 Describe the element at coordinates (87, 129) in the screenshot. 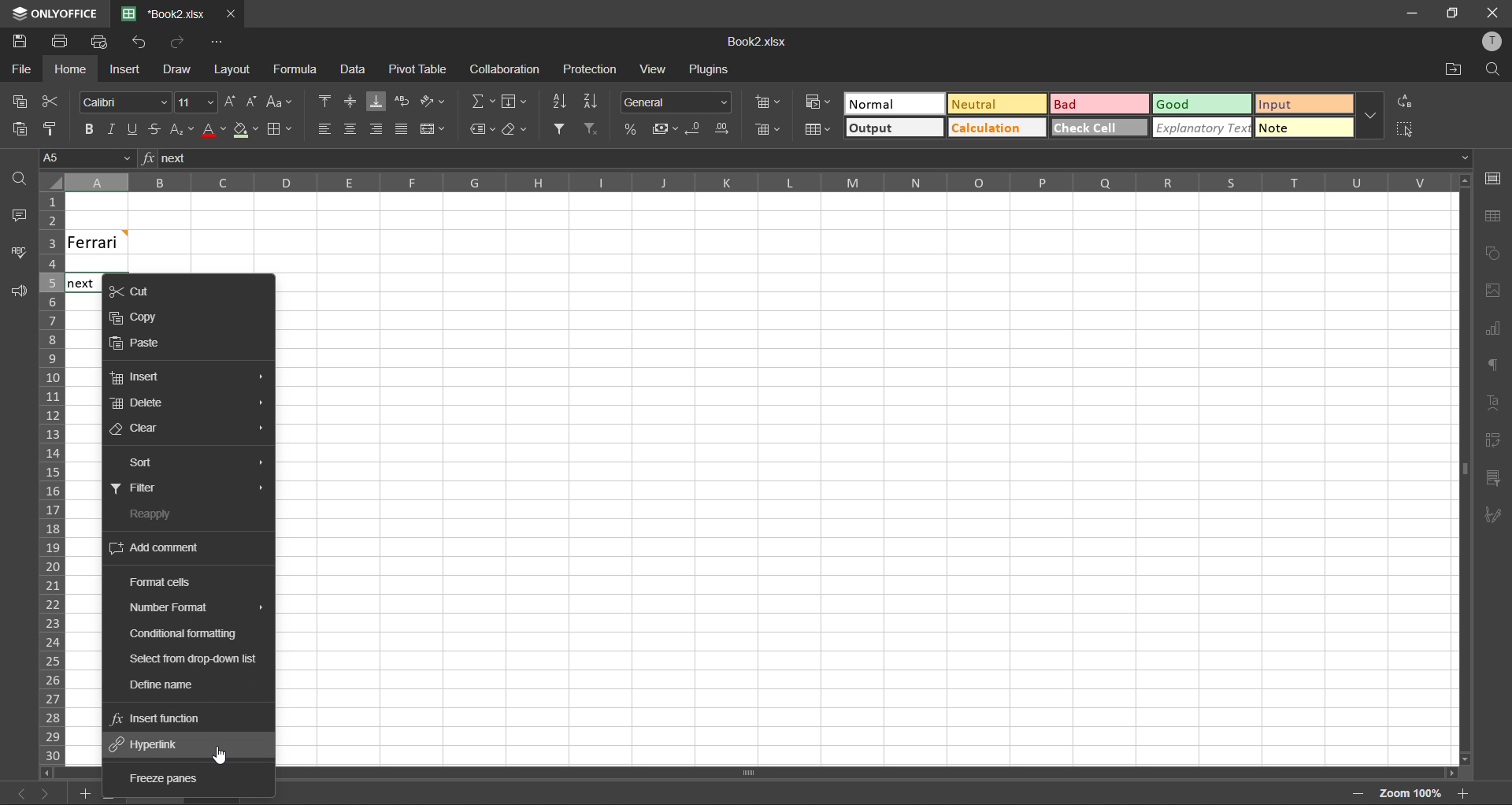

I see `bold` at that location.